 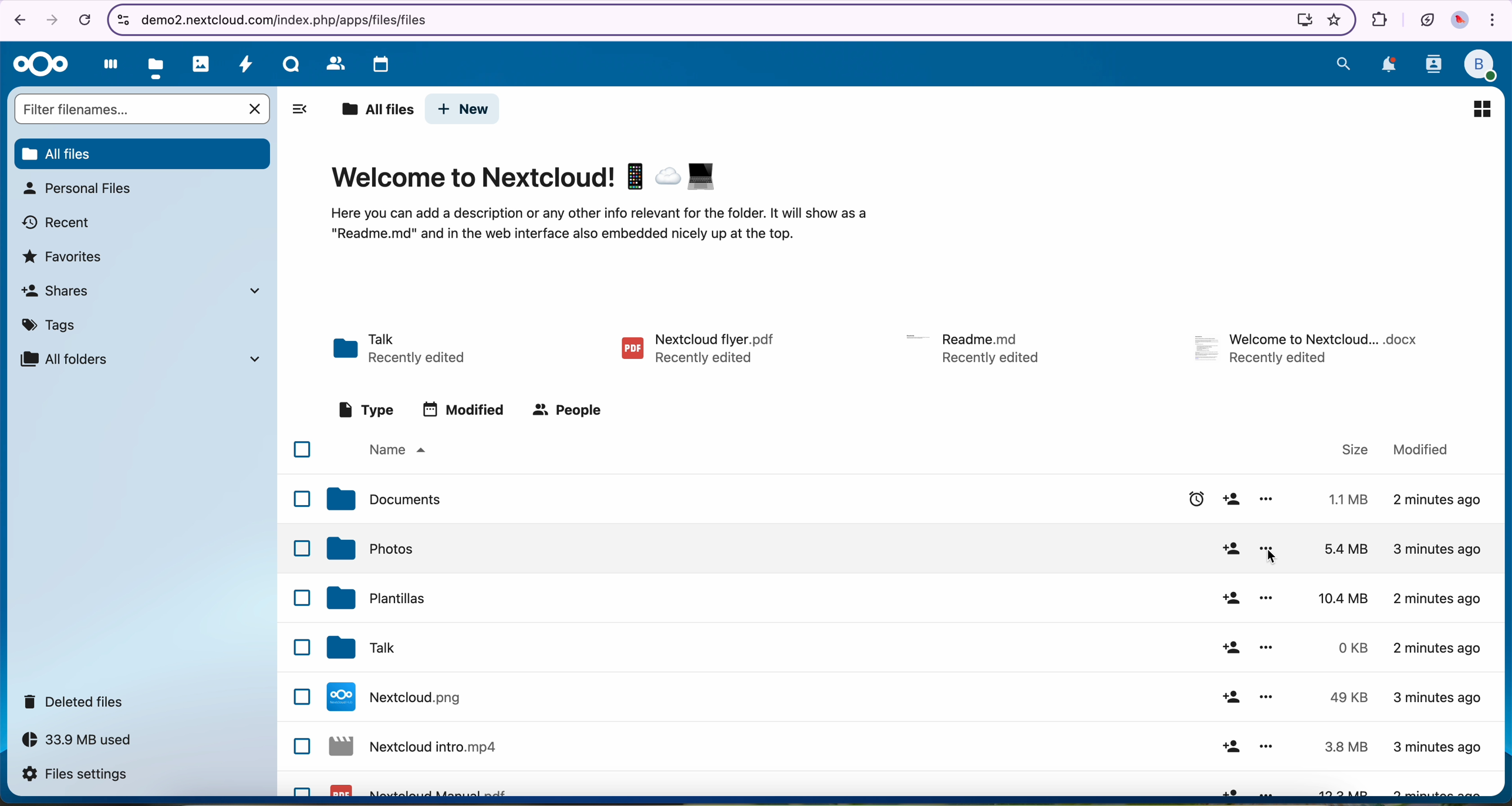 I want to click on 5.4, so click(x=1351, y=548).